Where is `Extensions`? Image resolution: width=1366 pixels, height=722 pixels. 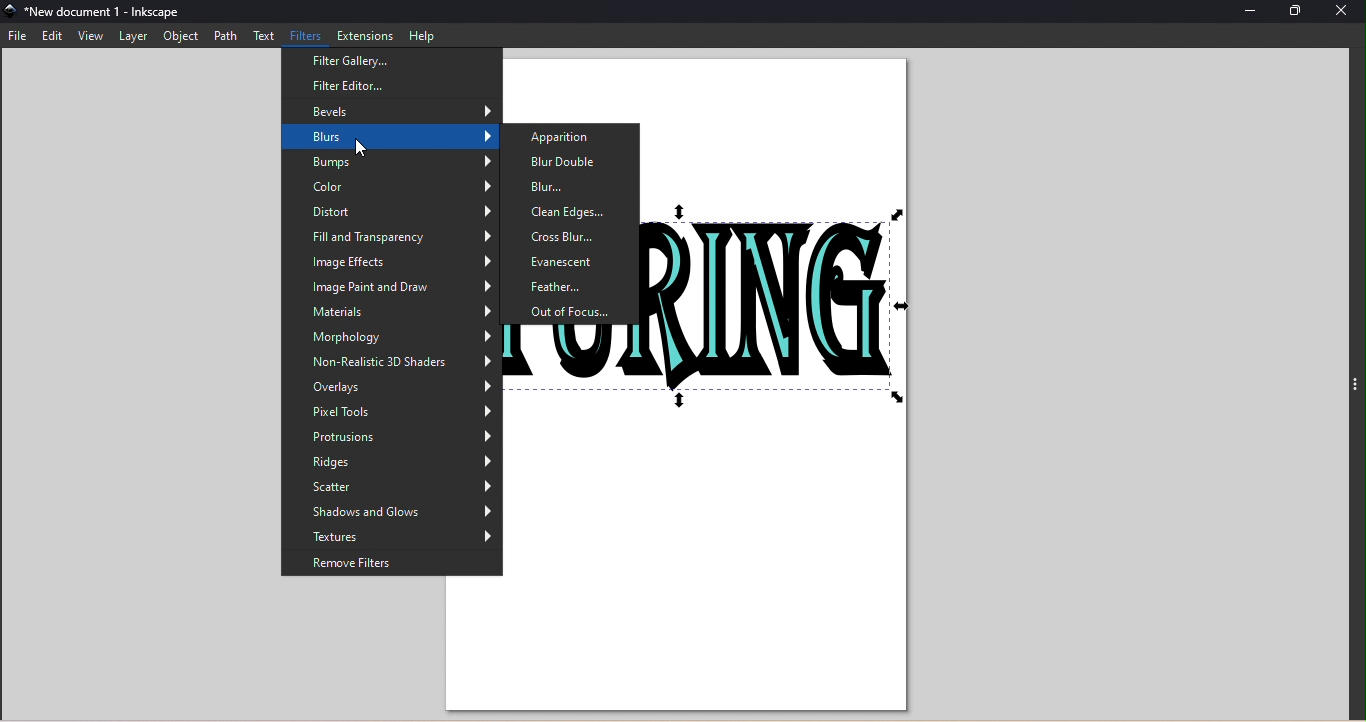 Extensions is located at coordinates (364, 34).